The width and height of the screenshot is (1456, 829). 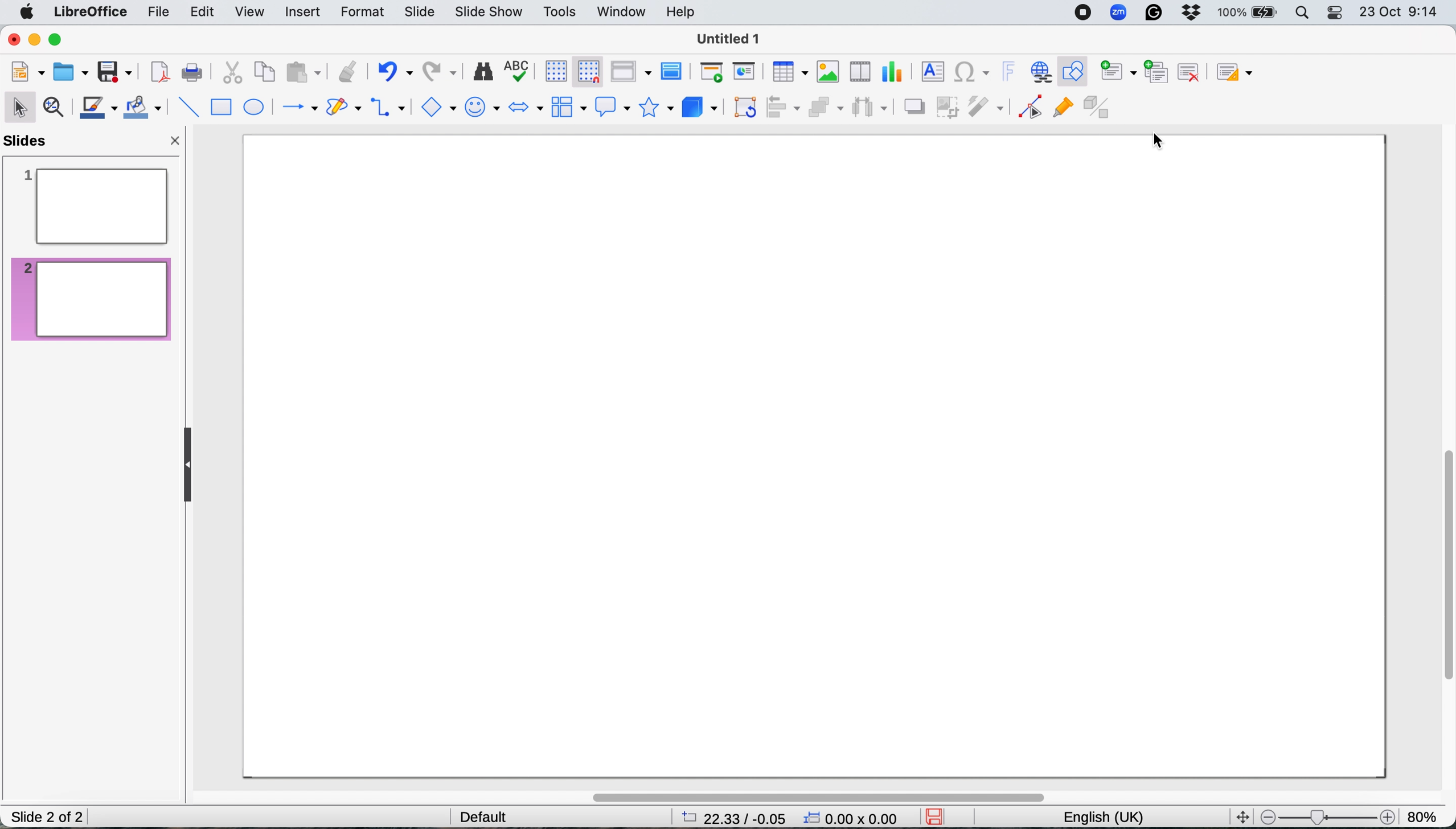 I want to click on fit screen, so click(x=1241, y=815).